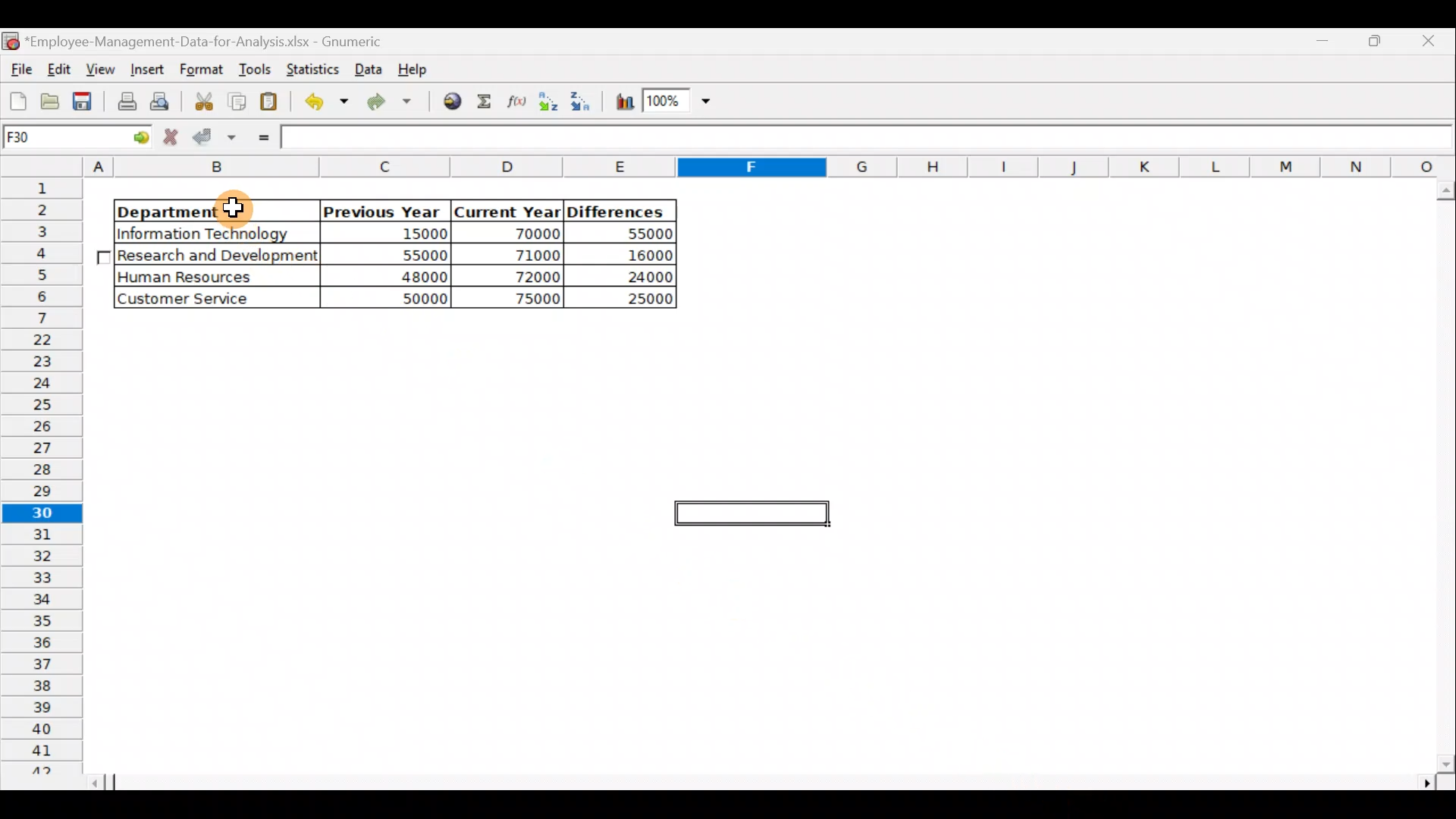 This screenshot has height=819, width=1456. What do you see at coordinates (770, 166) in the screenshot?
I see `Columns` at bounding box center [770, 166].